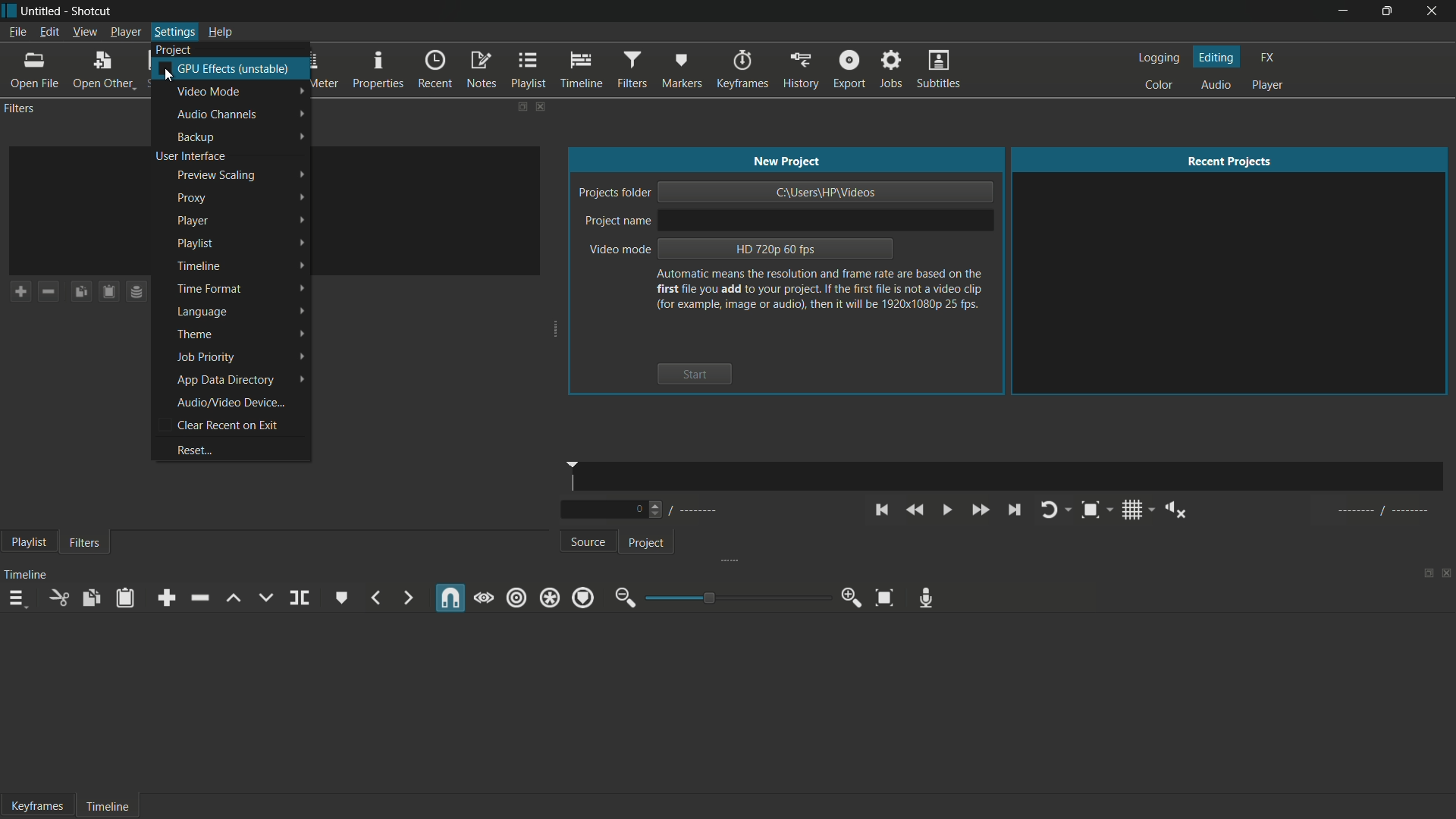 The image size is (1456, 819). I want to click on properties, so click(379, 71).